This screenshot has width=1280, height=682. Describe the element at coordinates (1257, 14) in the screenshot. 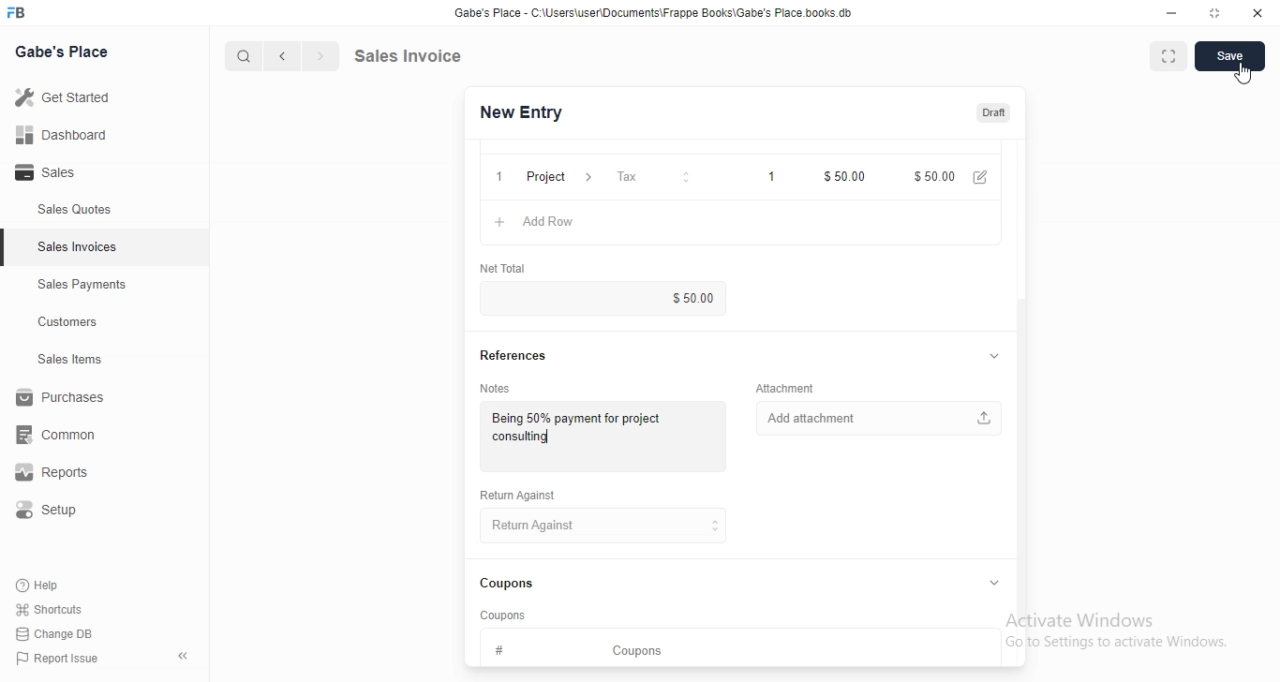

I see `close` at that location.